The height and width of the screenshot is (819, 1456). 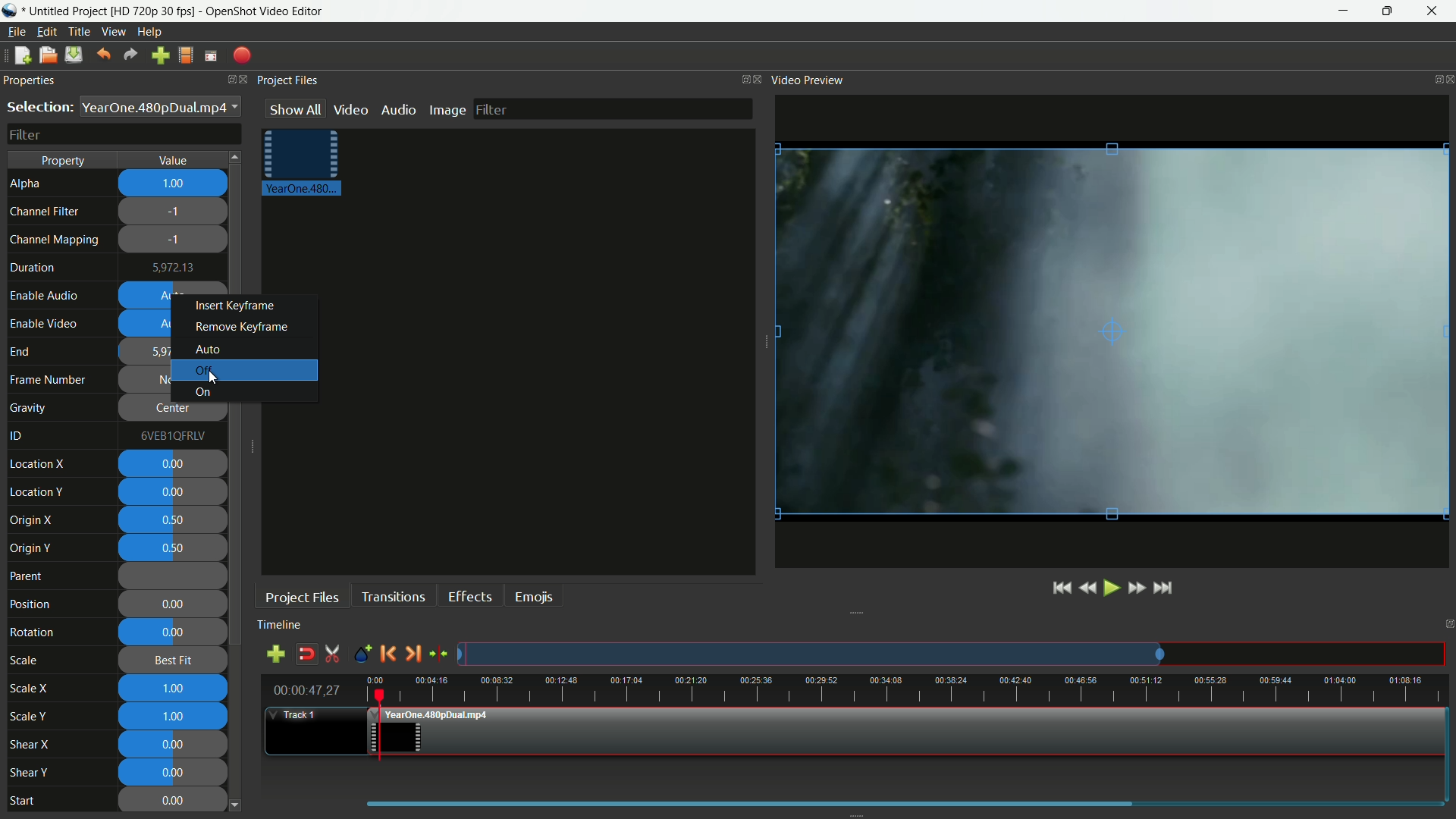 What do you see at coordinates (1447, 625) in the screenshot?
I see `close timeline` at bounding box center [1447, 625].